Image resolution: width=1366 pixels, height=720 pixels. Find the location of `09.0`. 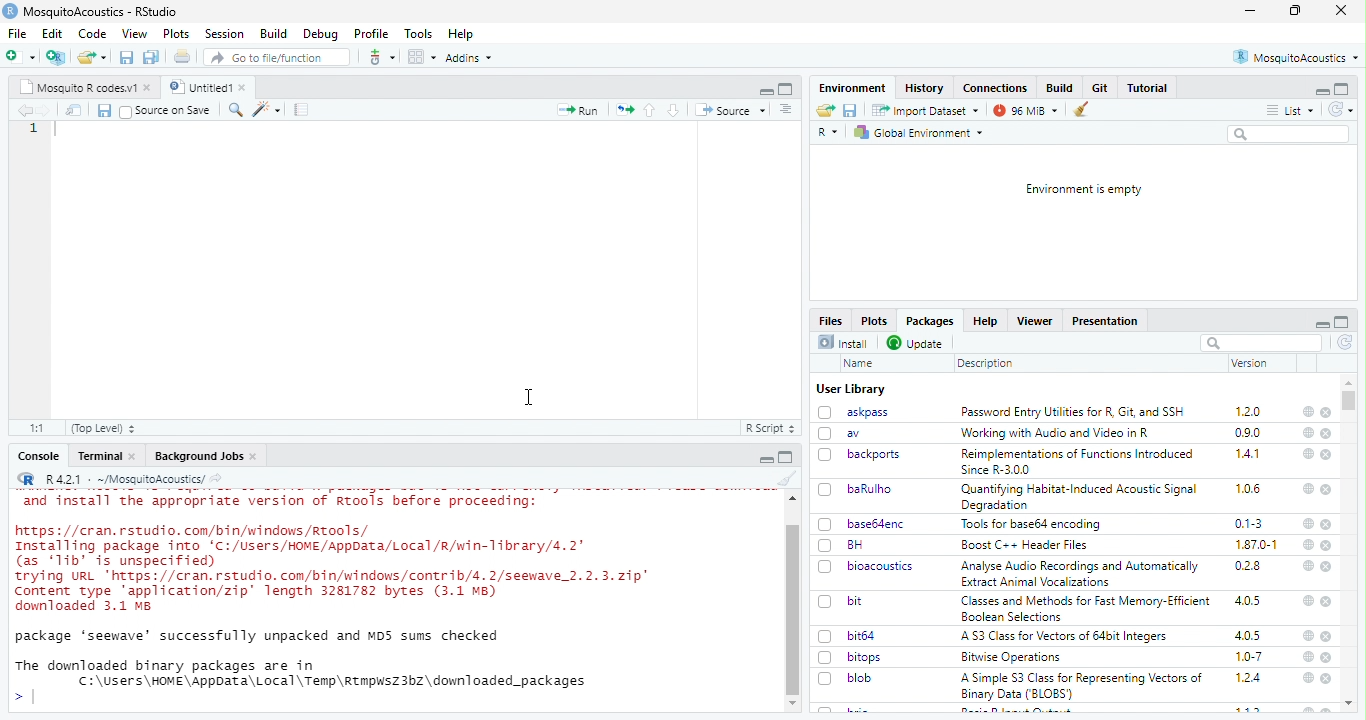

09.0 is located at coordinates (1248, 433).